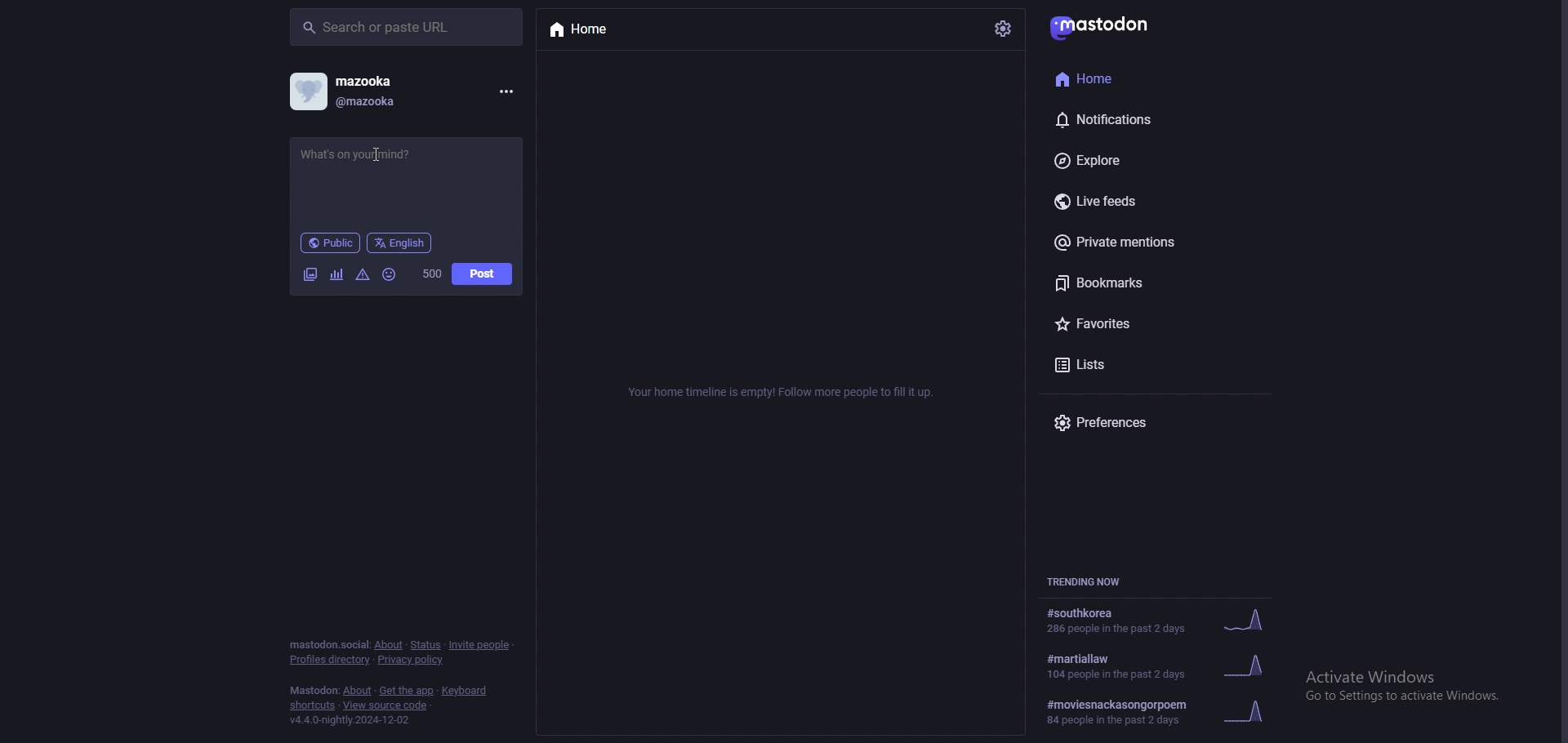 The image size is (1568, 743). Describe the element at coordinates (390, 644) in the screenshot. I see `about` at that location.